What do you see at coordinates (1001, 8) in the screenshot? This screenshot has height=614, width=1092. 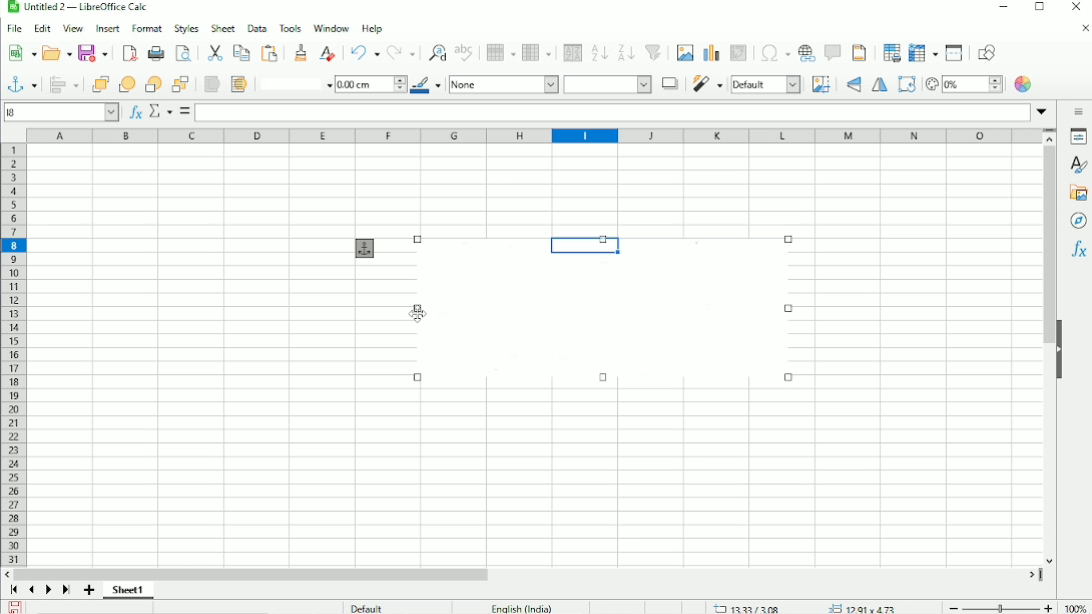 I see `Minimize` at bounding box center [1001, 8].